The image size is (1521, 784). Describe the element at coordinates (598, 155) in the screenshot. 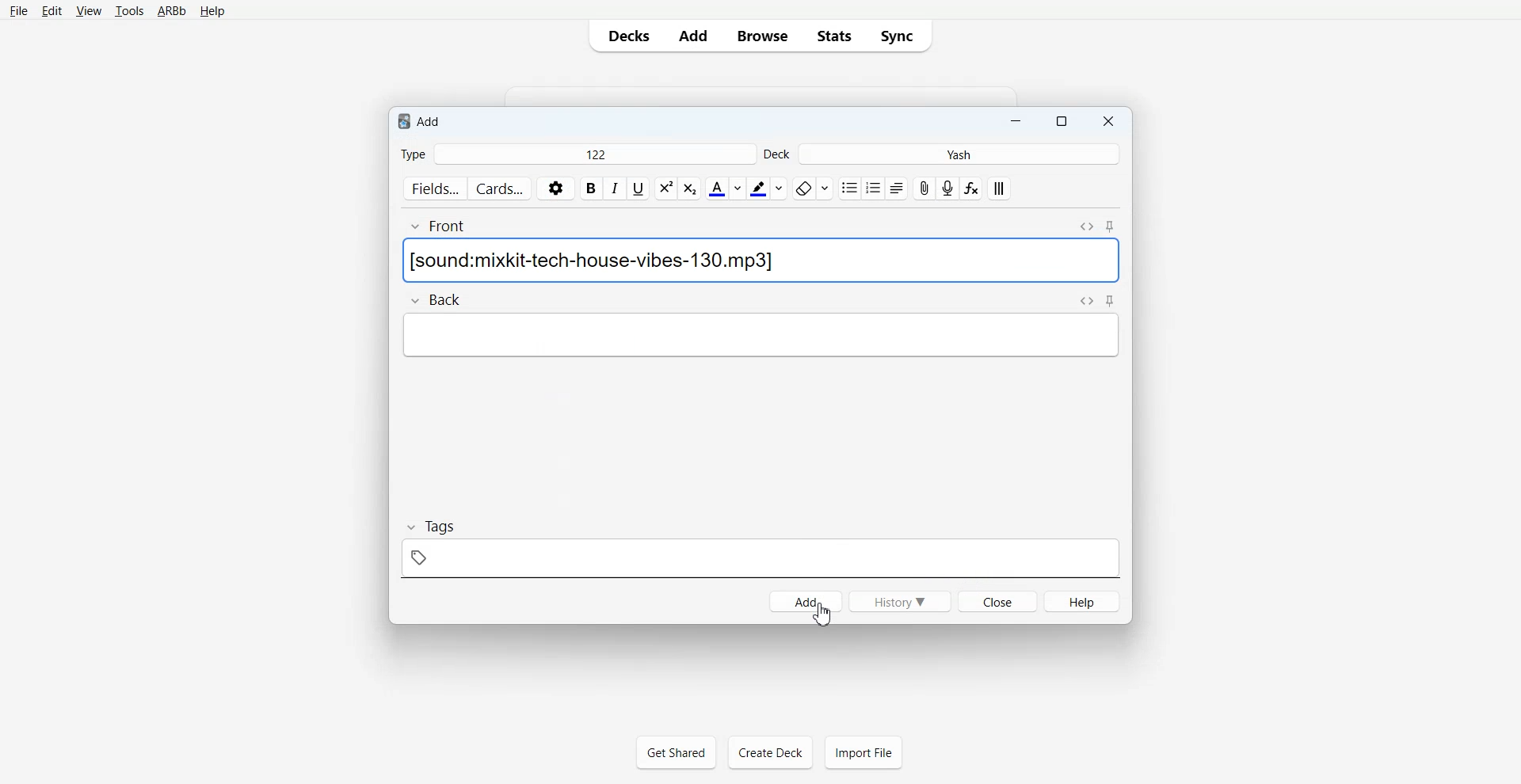

I see `122` at that location.